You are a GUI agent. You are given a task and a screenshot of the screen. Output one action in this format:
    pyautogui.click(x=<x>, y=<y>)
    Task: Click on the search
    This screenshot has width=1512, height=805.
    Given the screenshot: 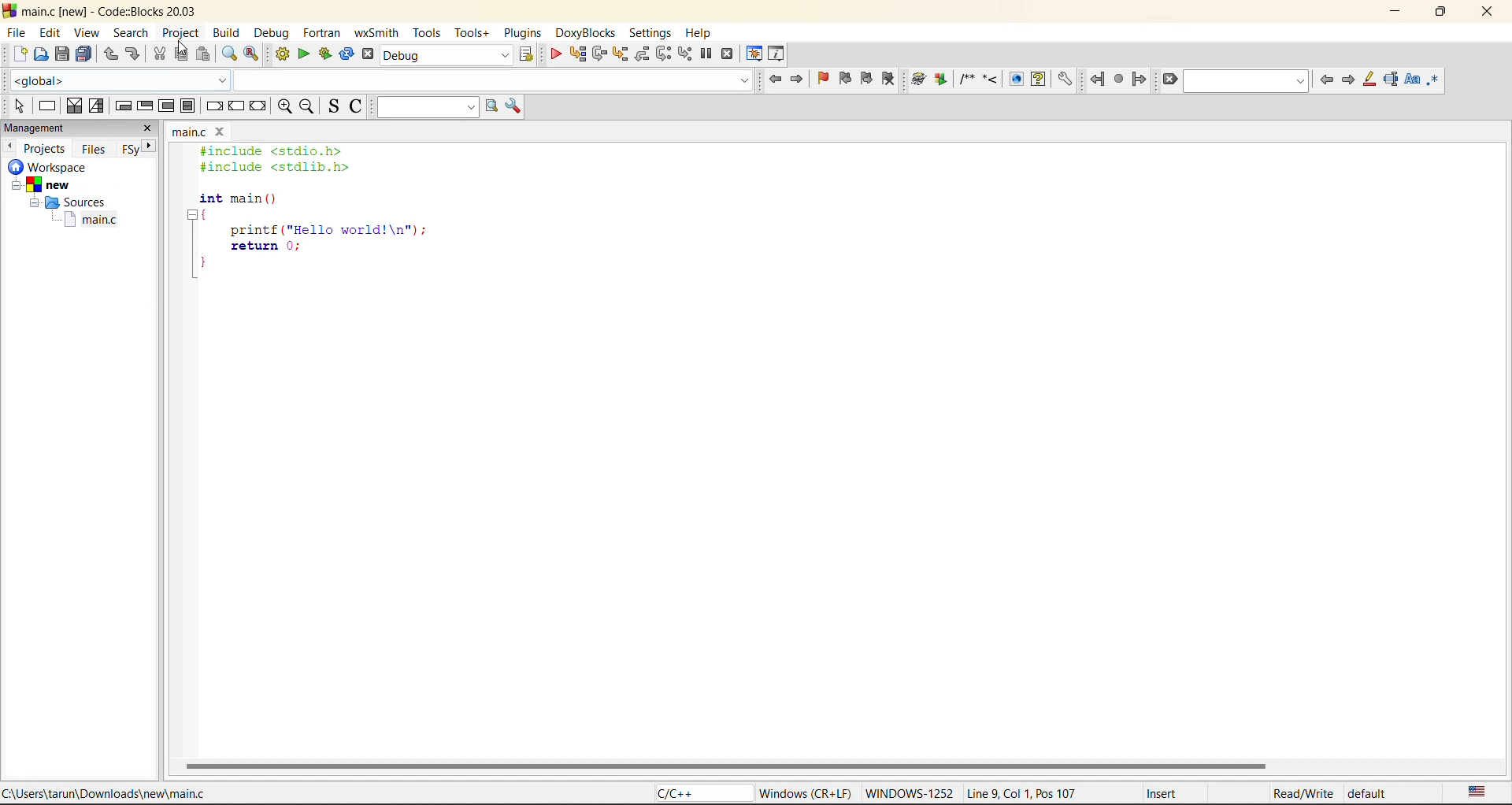 What is the action you would take?
    pyautogui.click(x=132, y=33)
    